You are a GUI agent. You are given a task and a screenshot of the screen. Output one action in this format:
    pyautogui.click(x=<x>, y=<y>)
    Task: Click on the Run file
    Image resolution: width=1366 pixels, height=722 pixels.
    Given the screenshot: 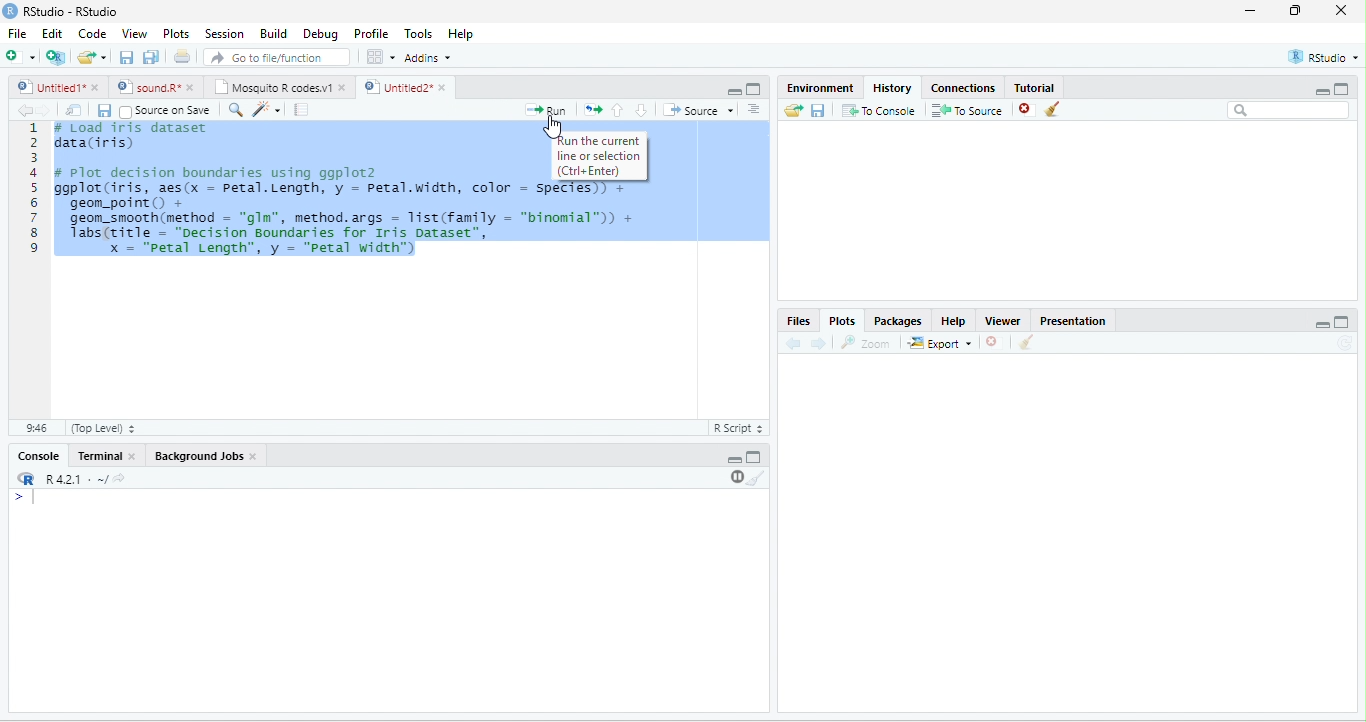 What is the action you would take?
    pyautogui.click(x=545, y=110)
    